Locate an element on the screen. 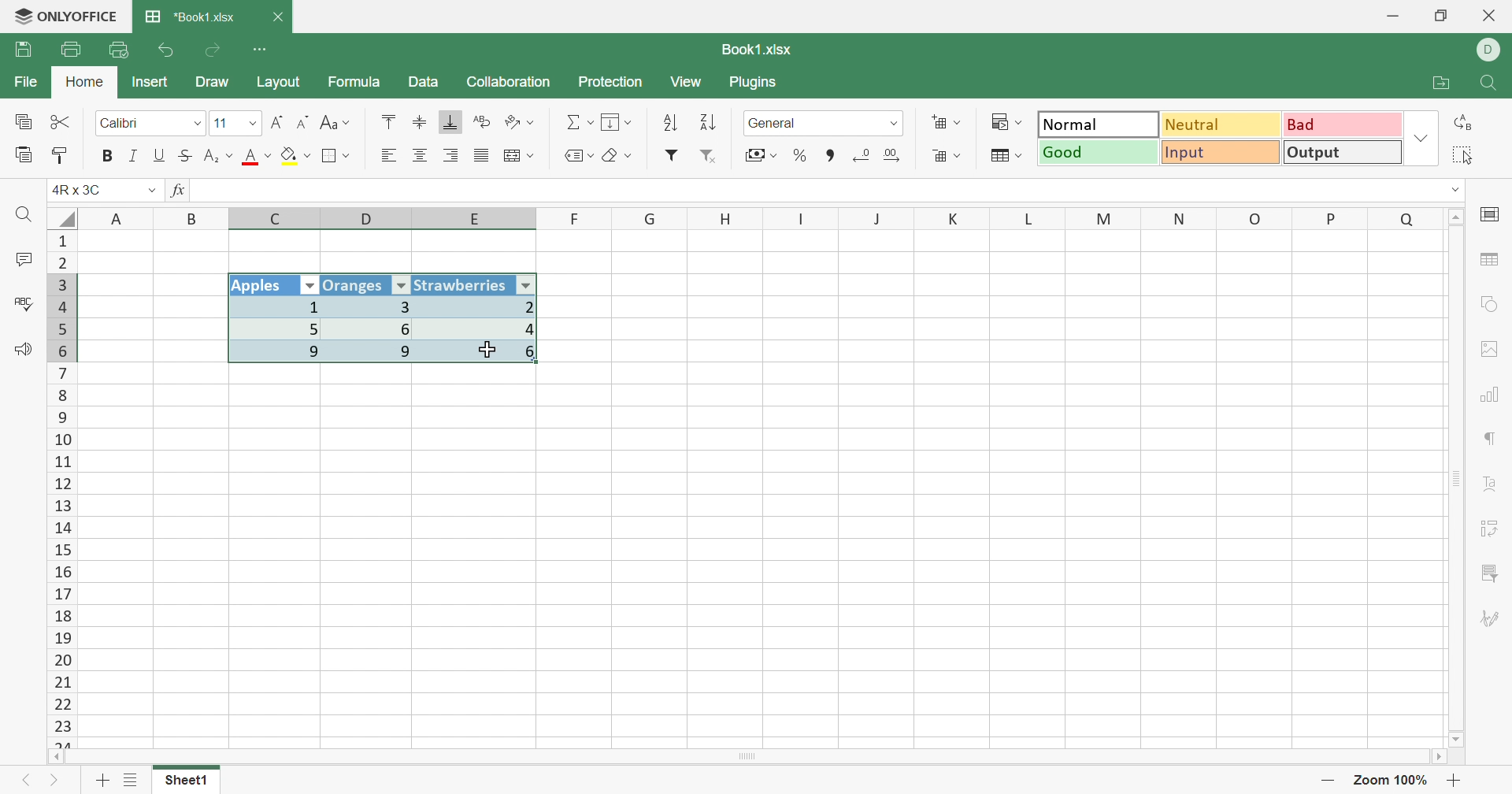  1 is located at coordinates (273, 307).